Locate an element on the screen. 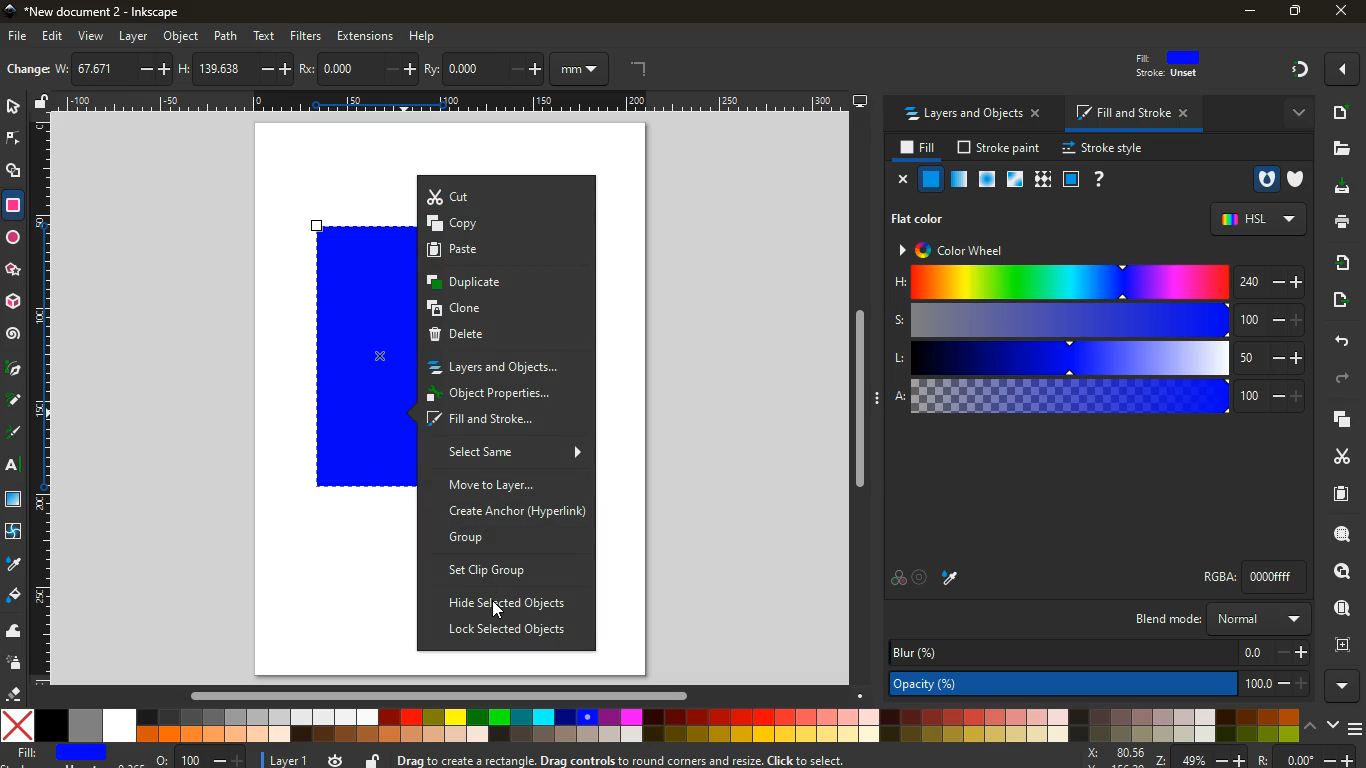 This screenshot has height=768, width=1366. shapes is located at coordinates (15, 173).